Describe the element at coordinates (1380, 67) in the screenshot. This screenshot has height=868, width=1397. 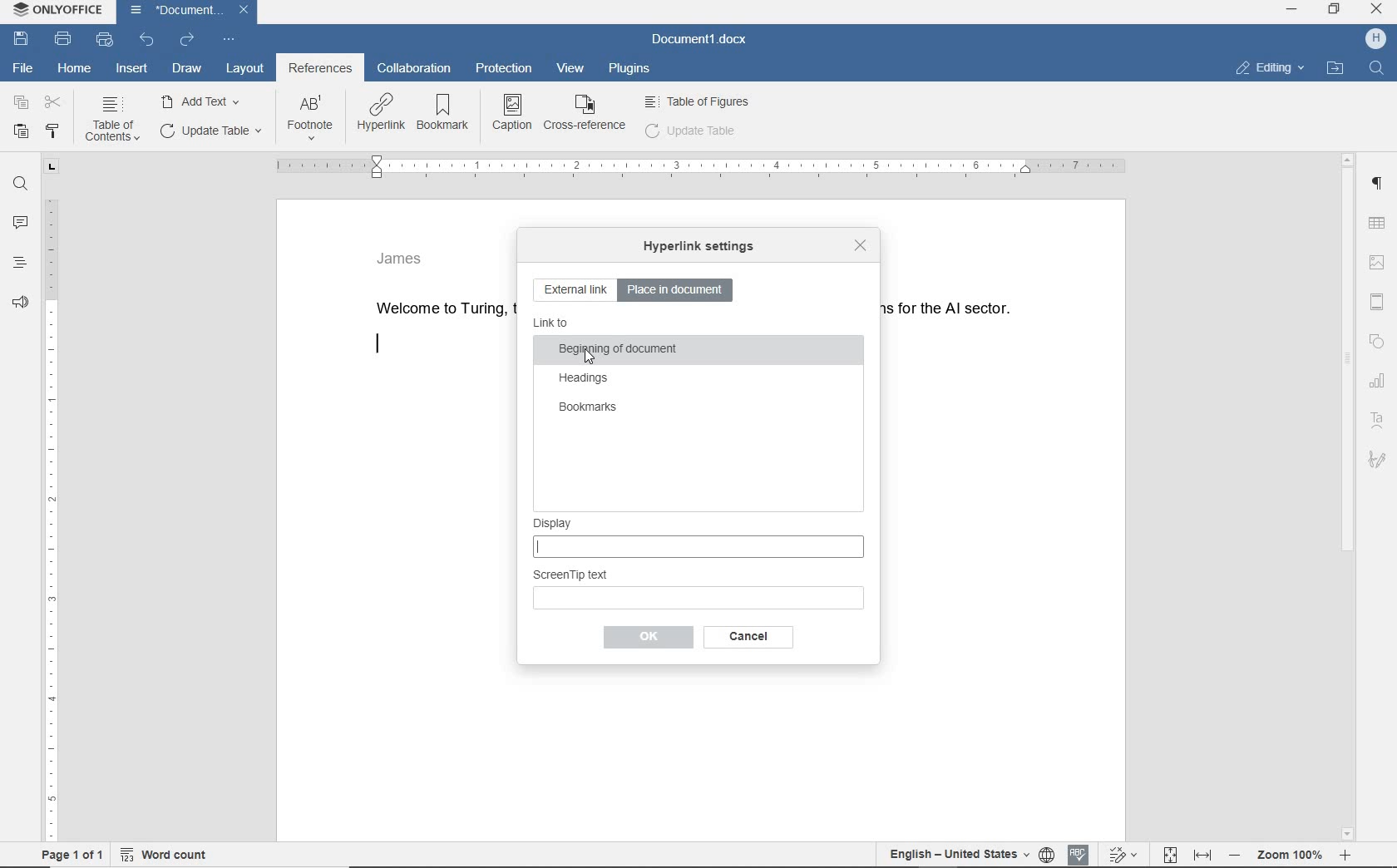
I see `Find` at that location.